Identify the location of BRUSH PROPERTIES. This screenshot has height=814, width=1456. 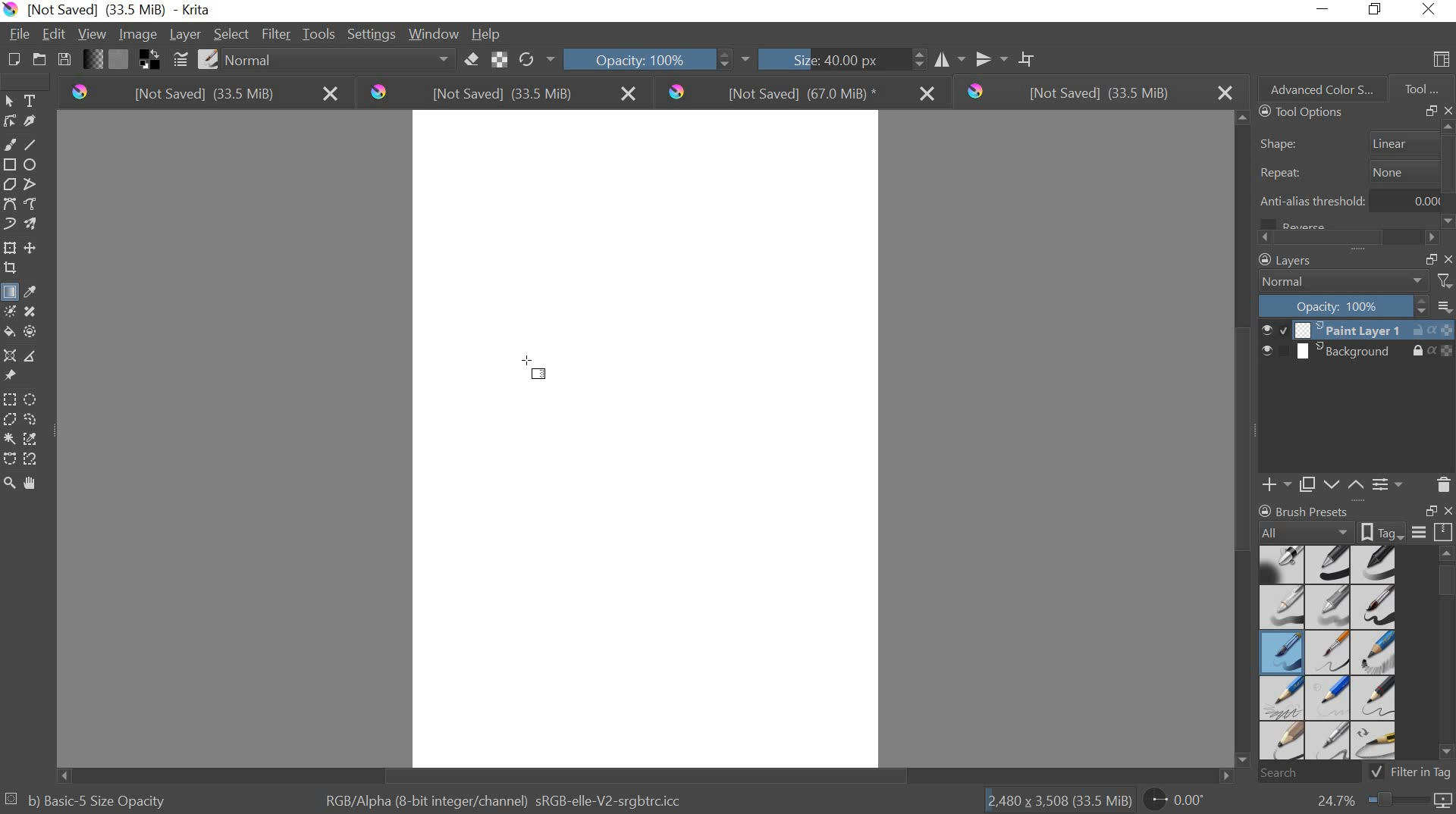
(1313, 508).